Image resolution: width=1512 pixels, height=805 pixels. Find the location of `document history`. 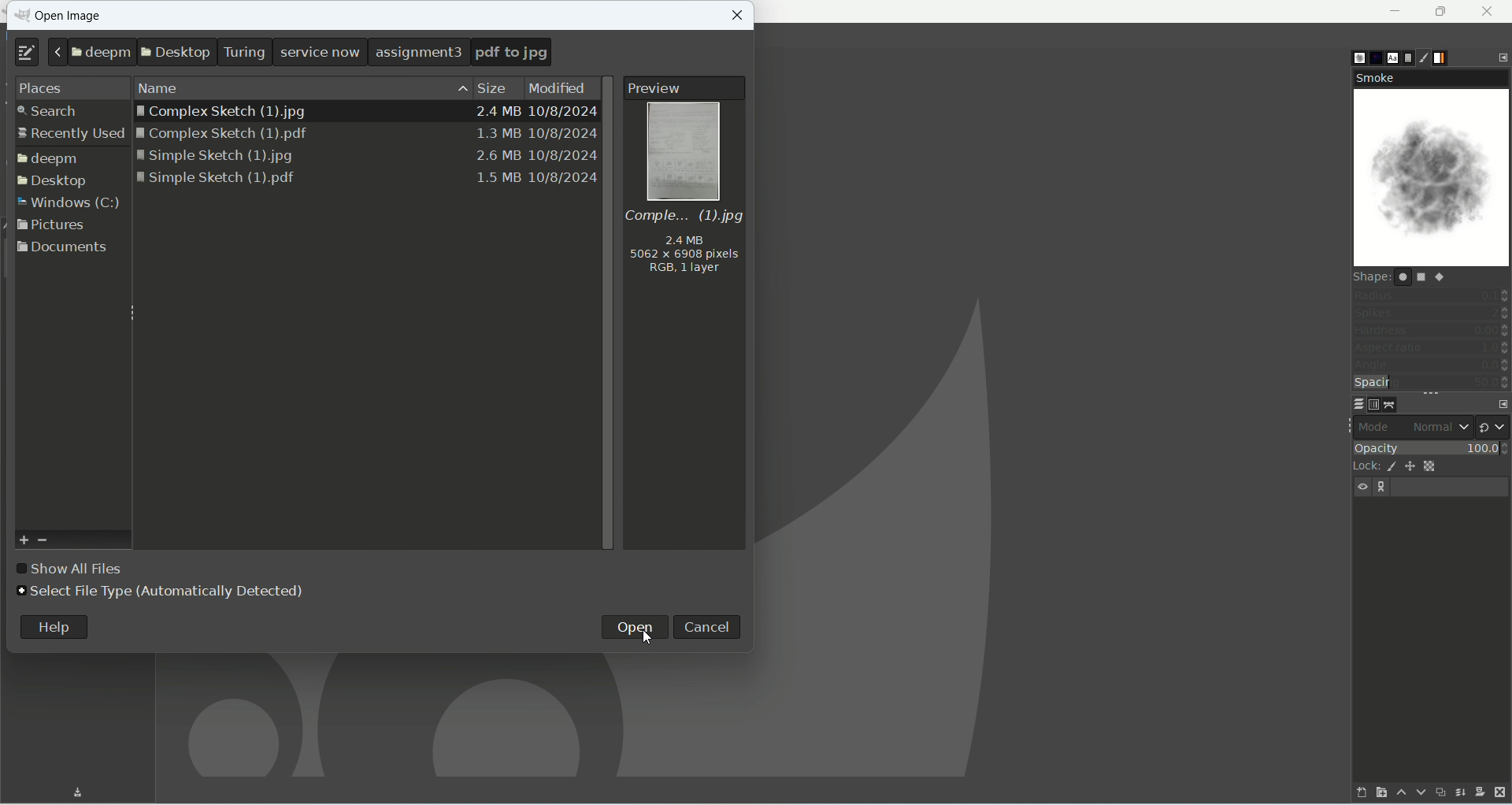

document history is located at coordinates (1407, 58).